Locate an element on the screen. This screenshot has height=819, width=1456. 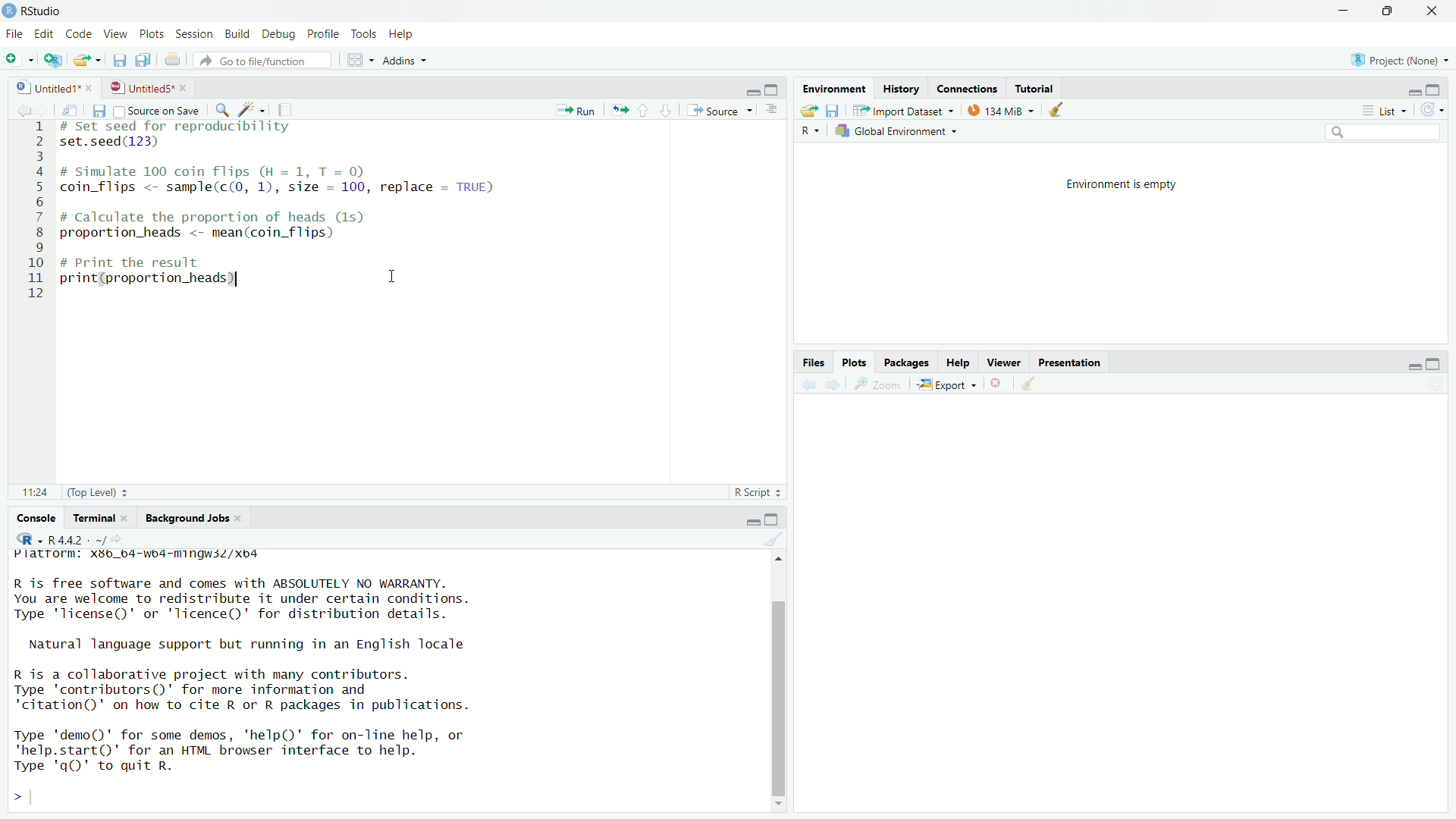
untitled1 is located at coordinates (40, 86).